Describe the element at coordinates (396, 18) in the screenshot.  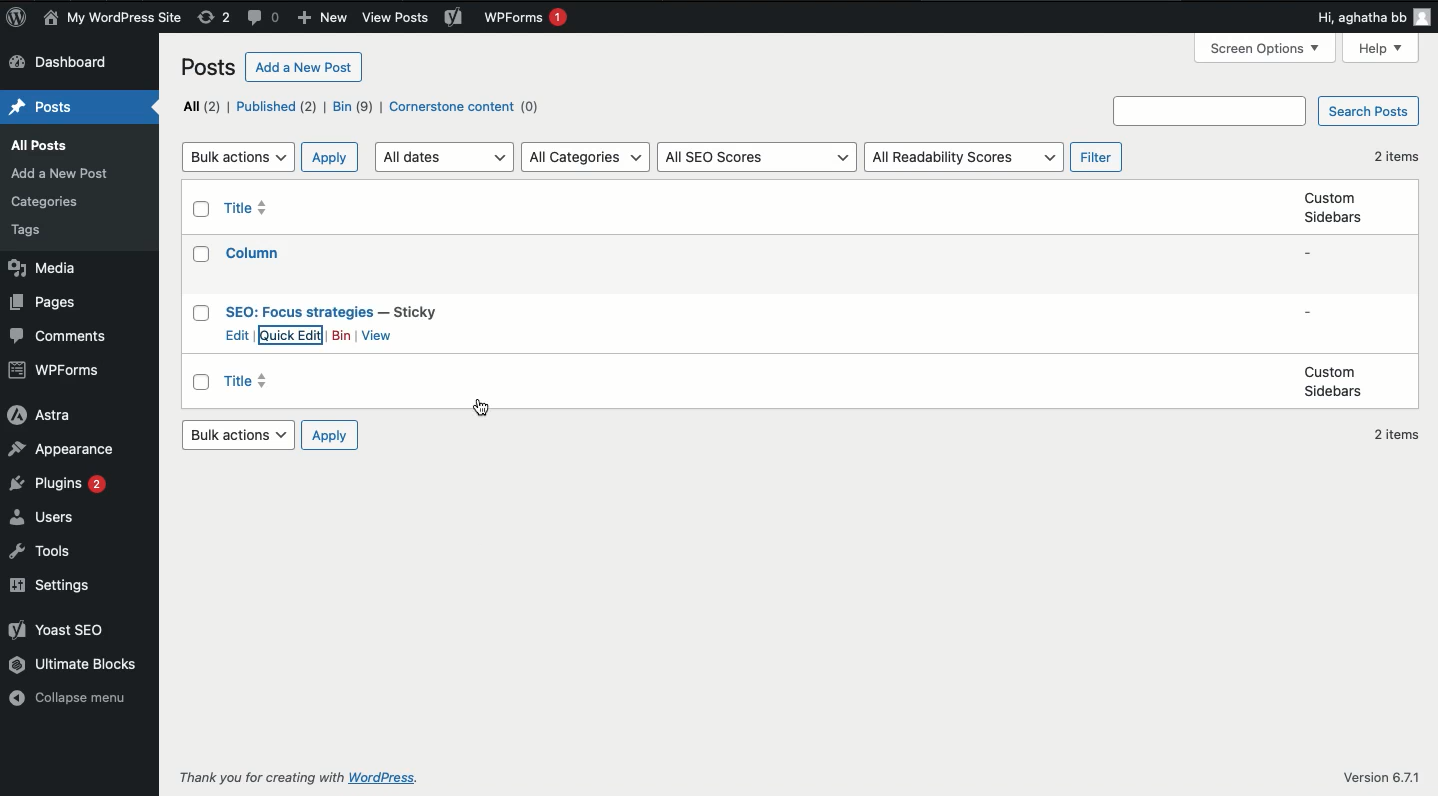
I see `View posts` at that location.